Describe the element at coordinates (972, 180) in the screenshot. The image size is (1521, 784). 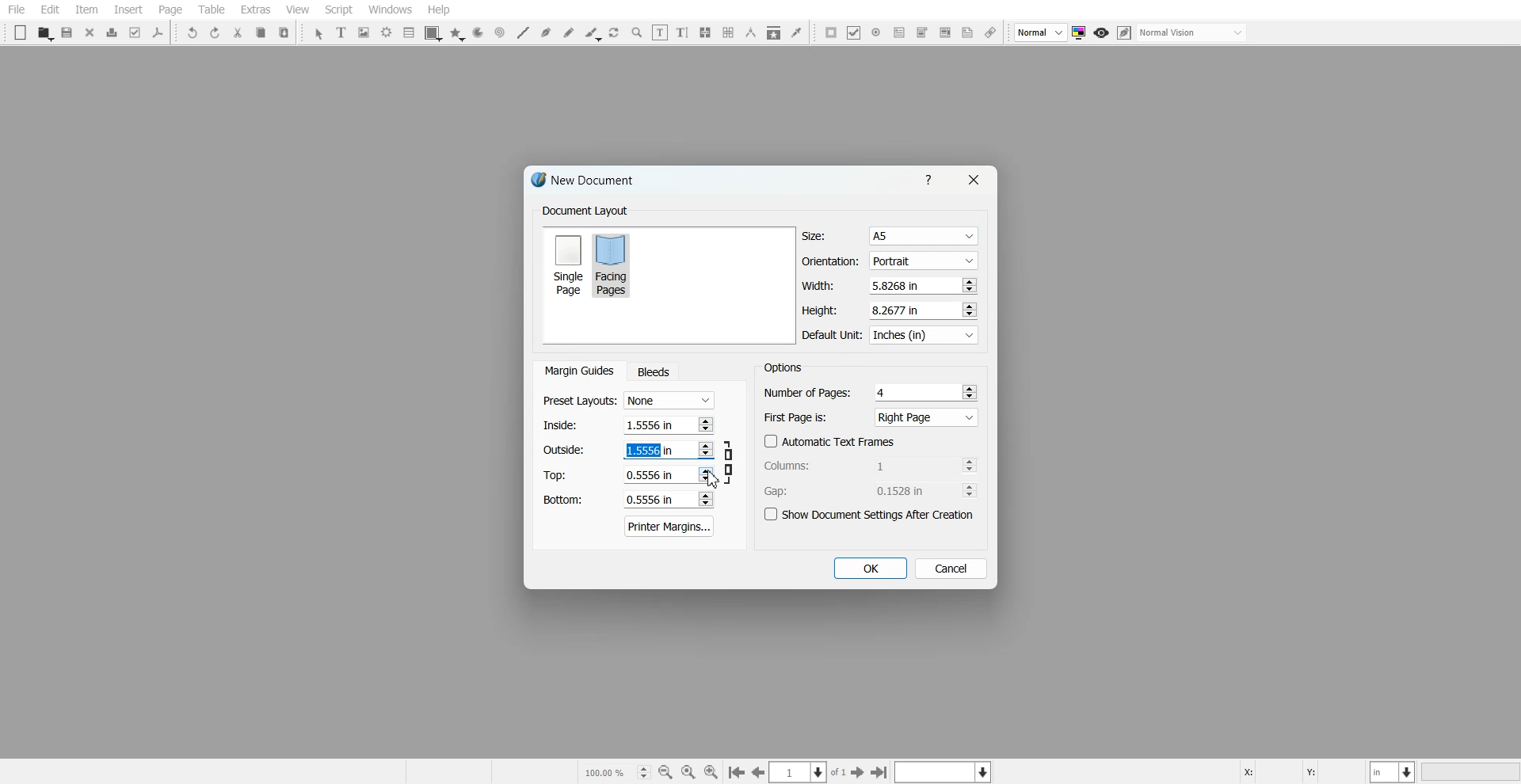
I see `Close` at that location.